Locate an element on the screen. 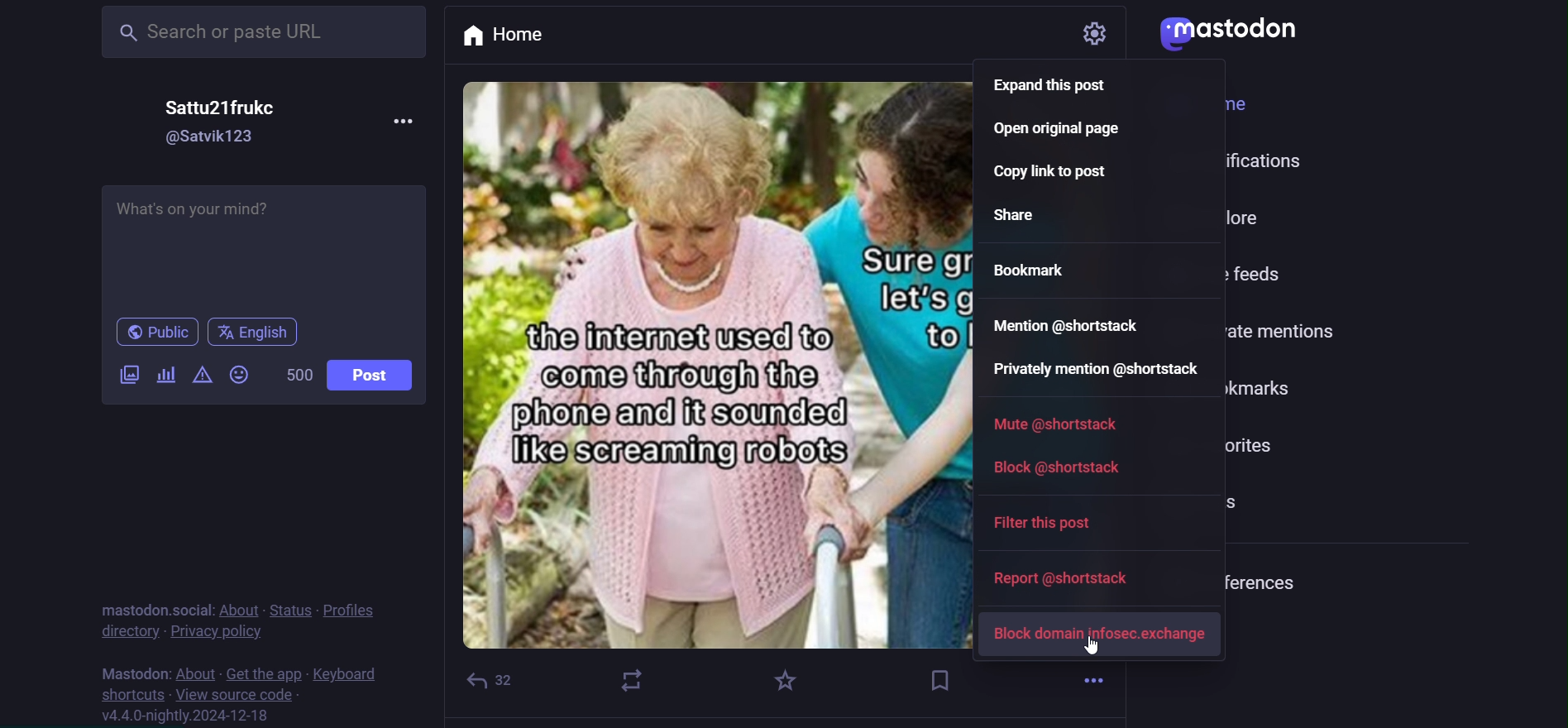  poll is located at coordinates (165, 376).